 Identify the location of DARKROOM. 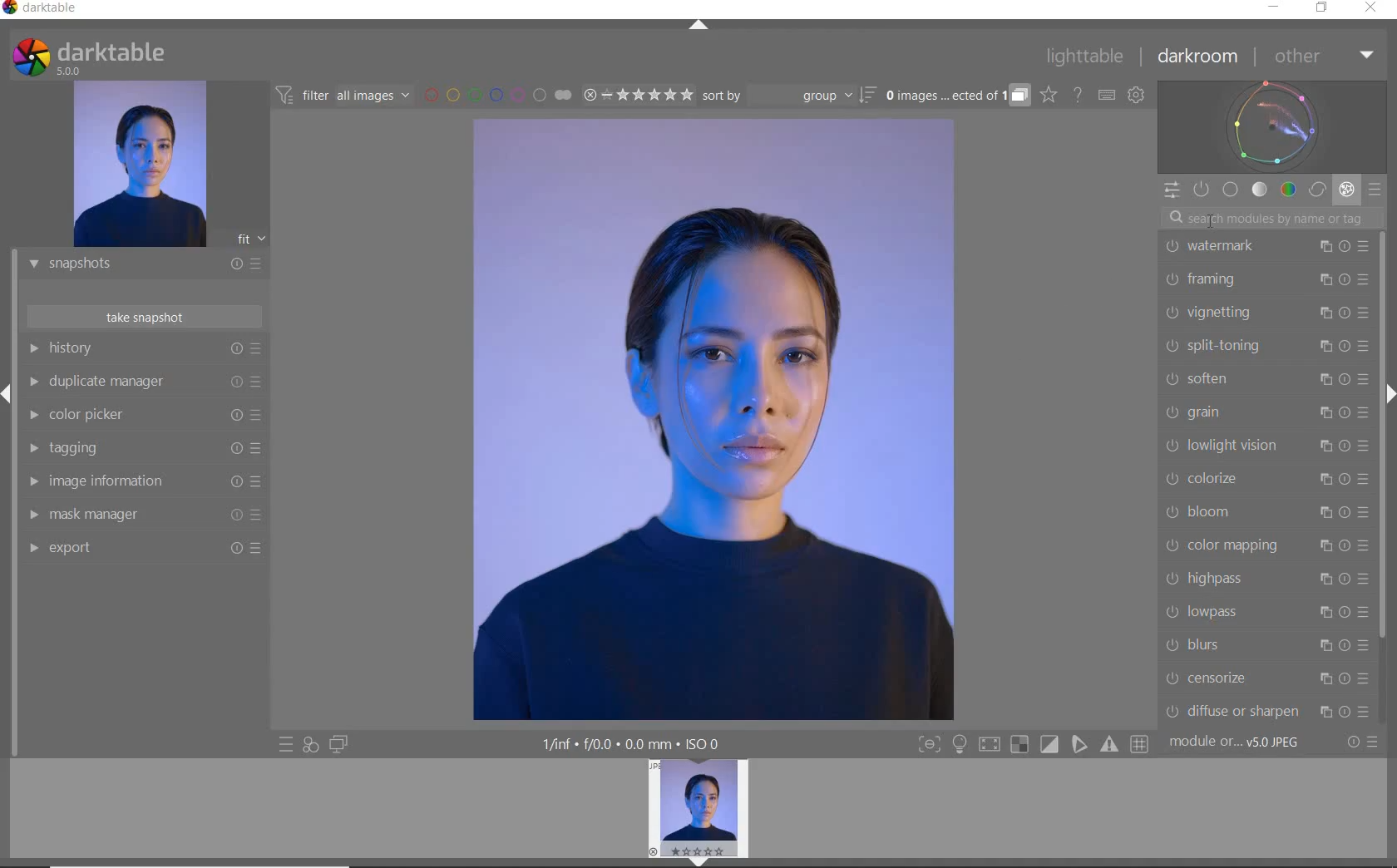
(1198, 57).